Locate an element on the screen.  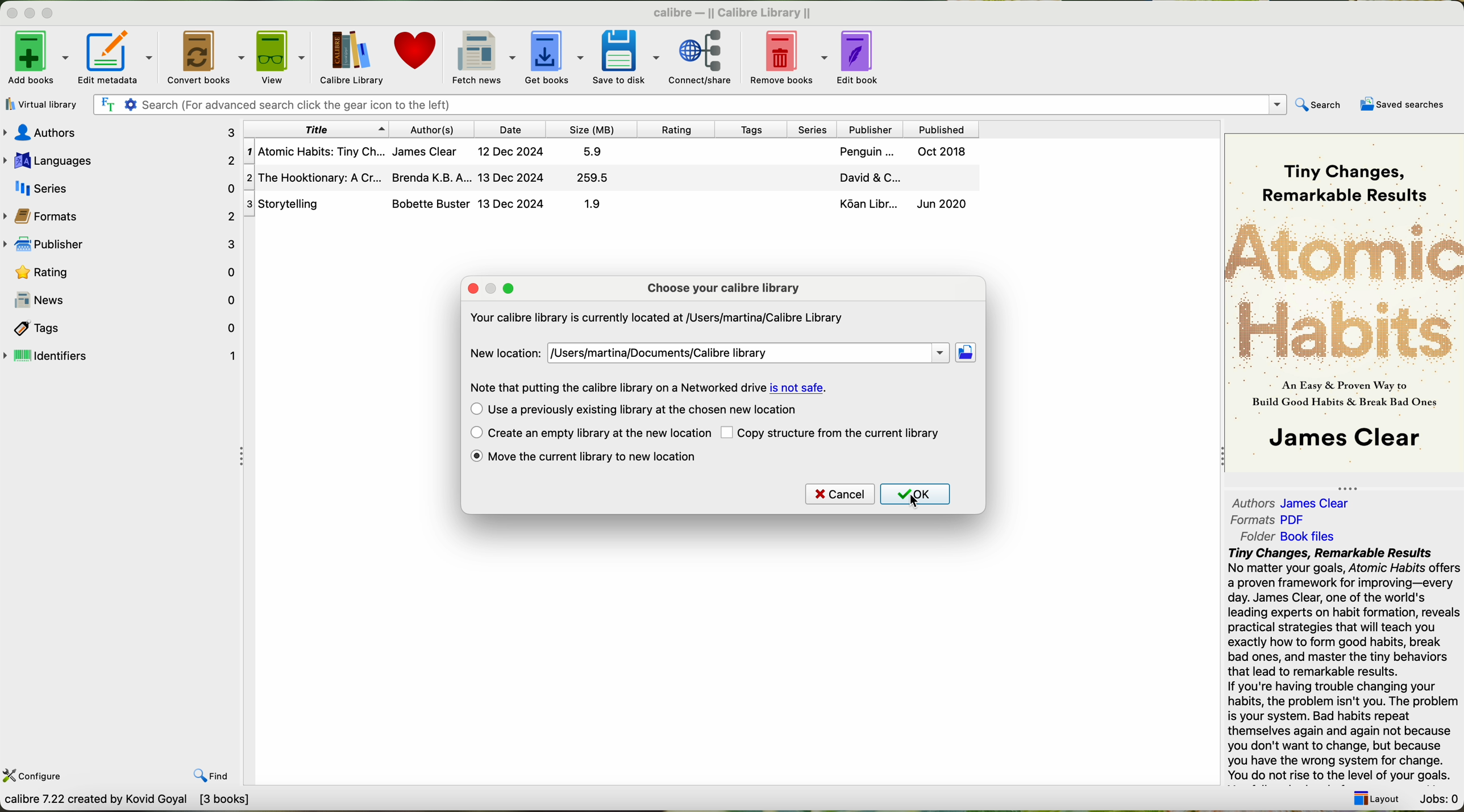
formats is located at coordinates (122, 216).